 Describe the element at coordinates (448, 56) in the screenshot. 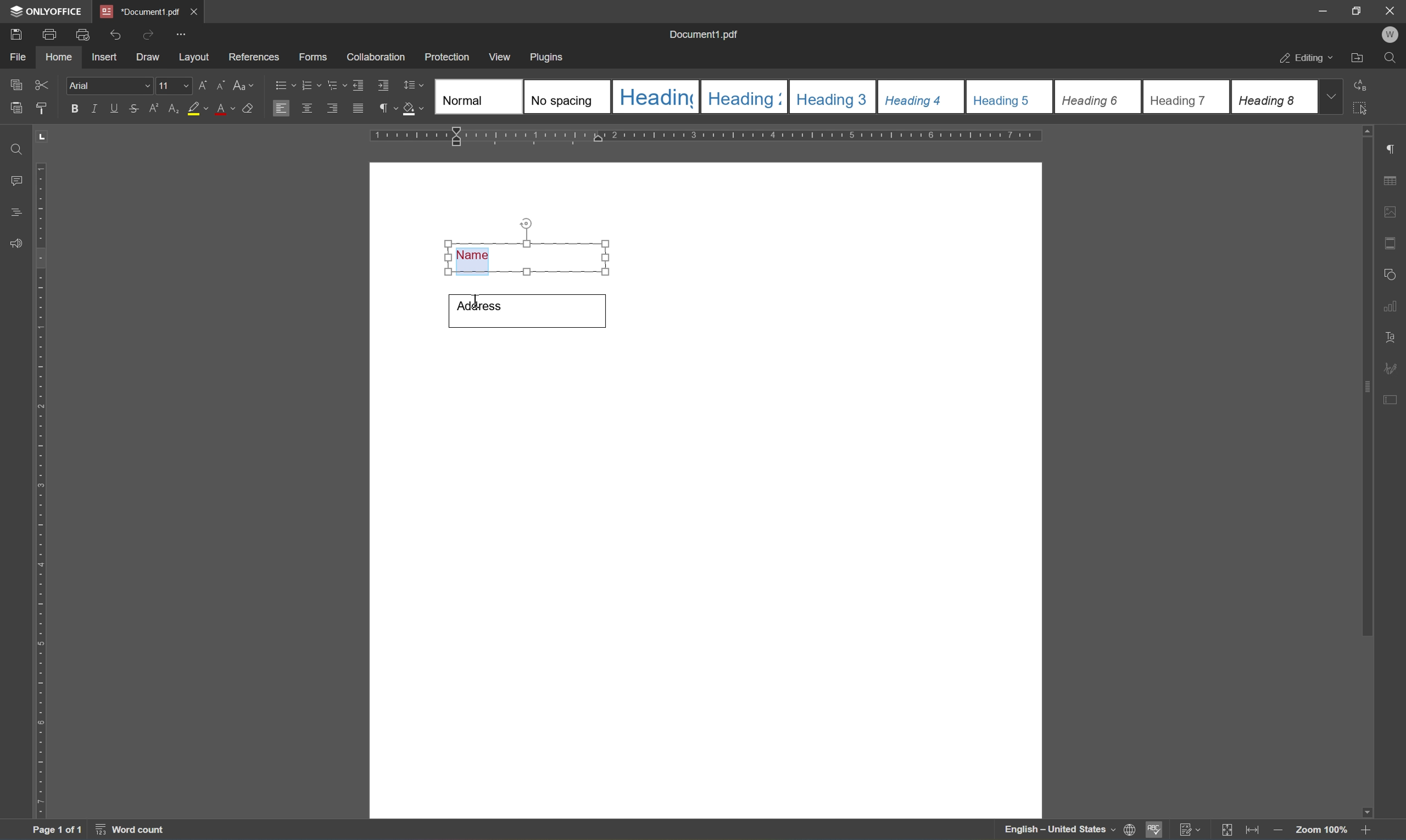

I see `protection` at that location.